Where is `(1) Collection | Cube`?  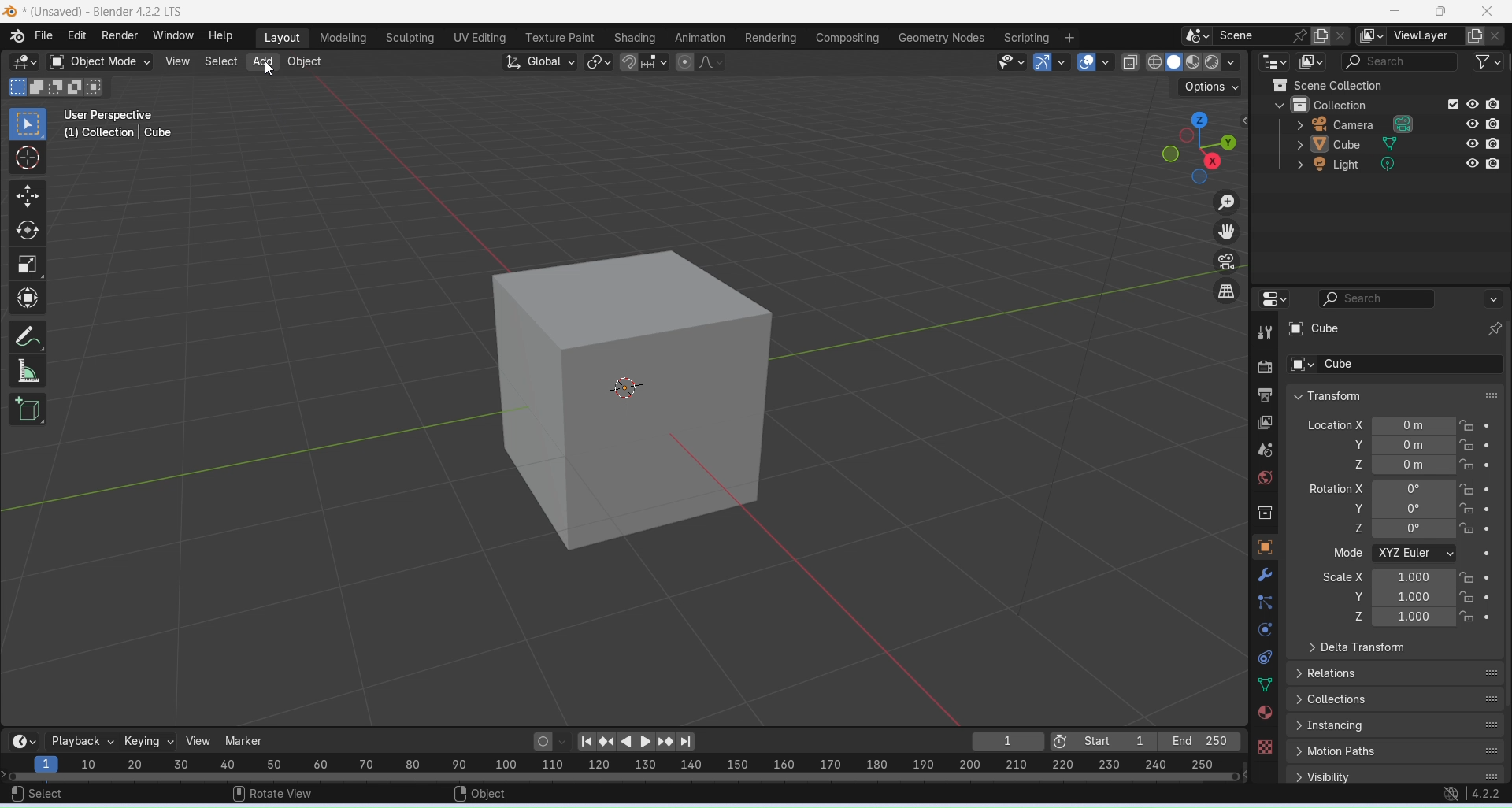 (1) Collection | Cube is located at coordinates (118, 134).